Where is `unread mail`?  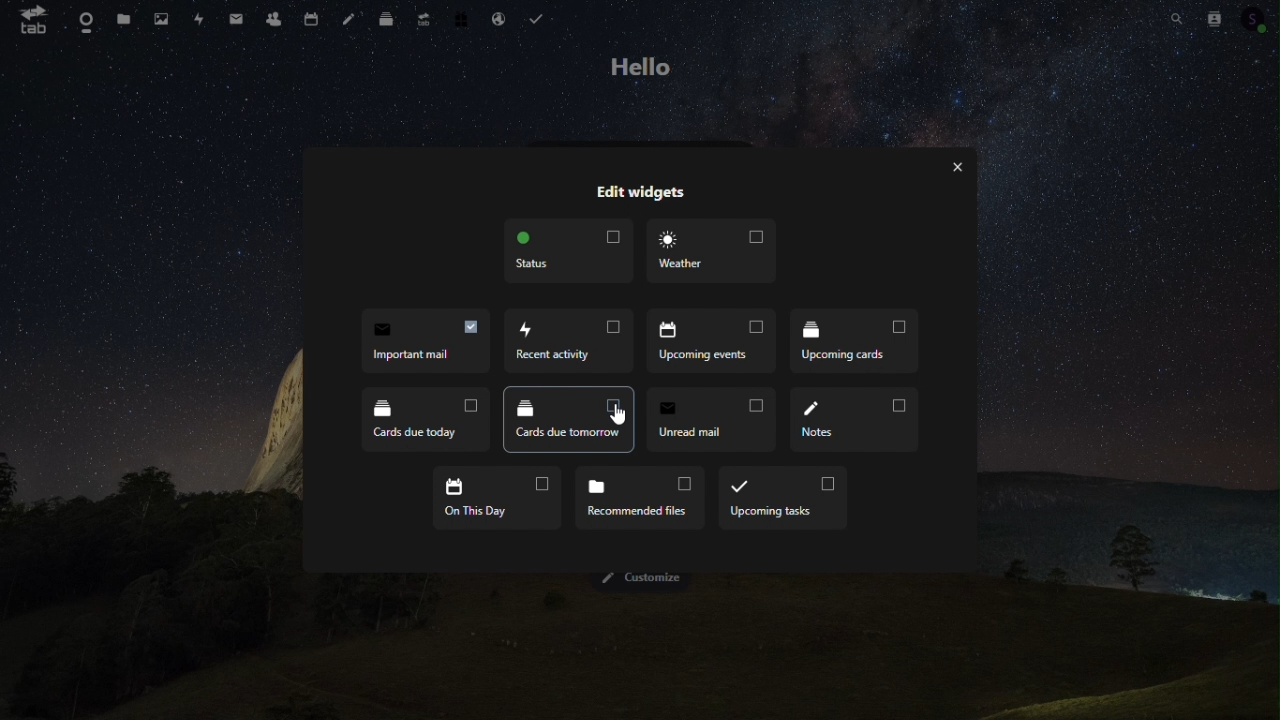 unread mail is located at coordinates (709, 418).